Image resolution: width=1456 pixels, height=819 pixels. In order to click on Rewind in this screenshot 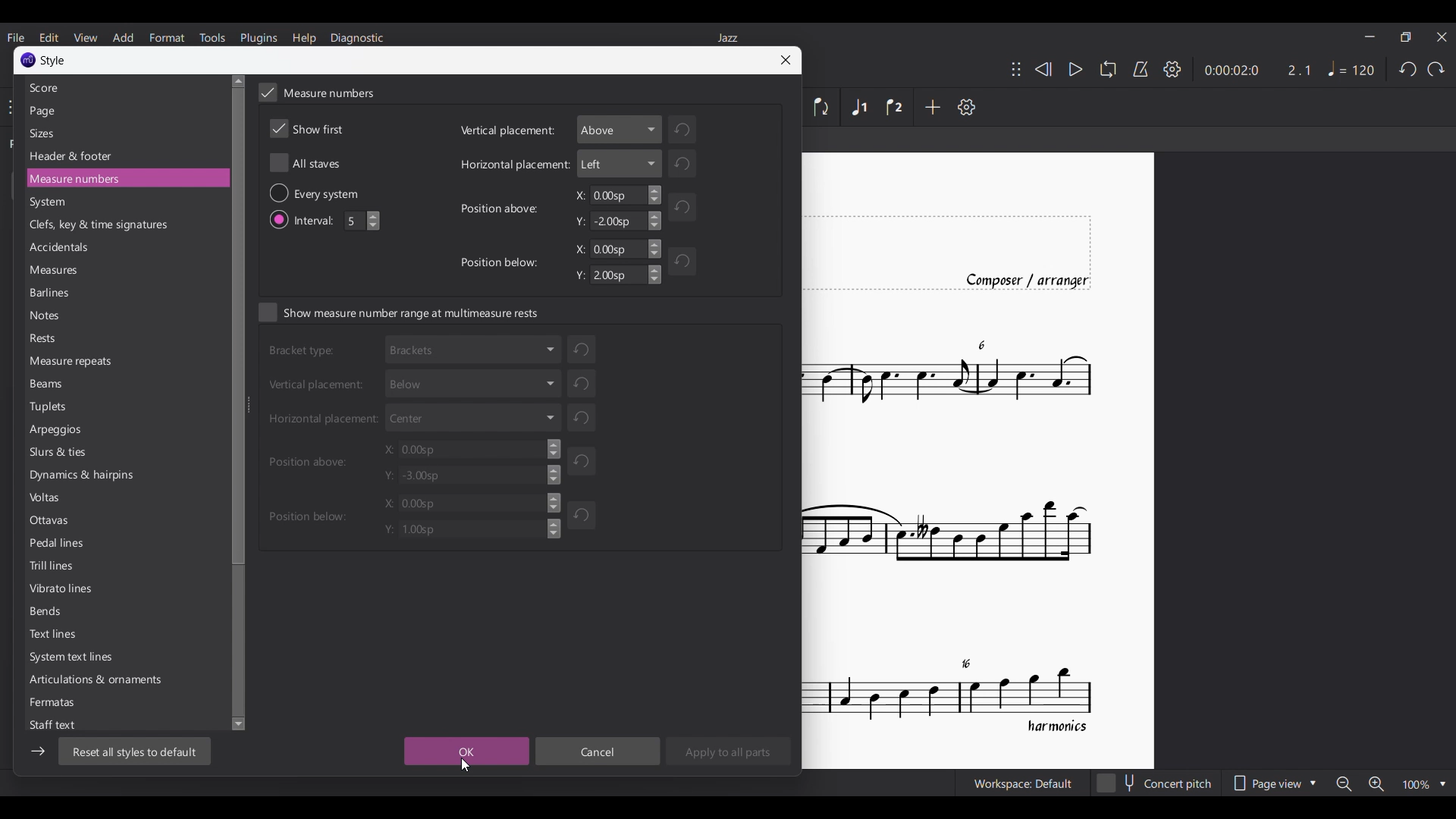, I will do `click(1043, 69)`.